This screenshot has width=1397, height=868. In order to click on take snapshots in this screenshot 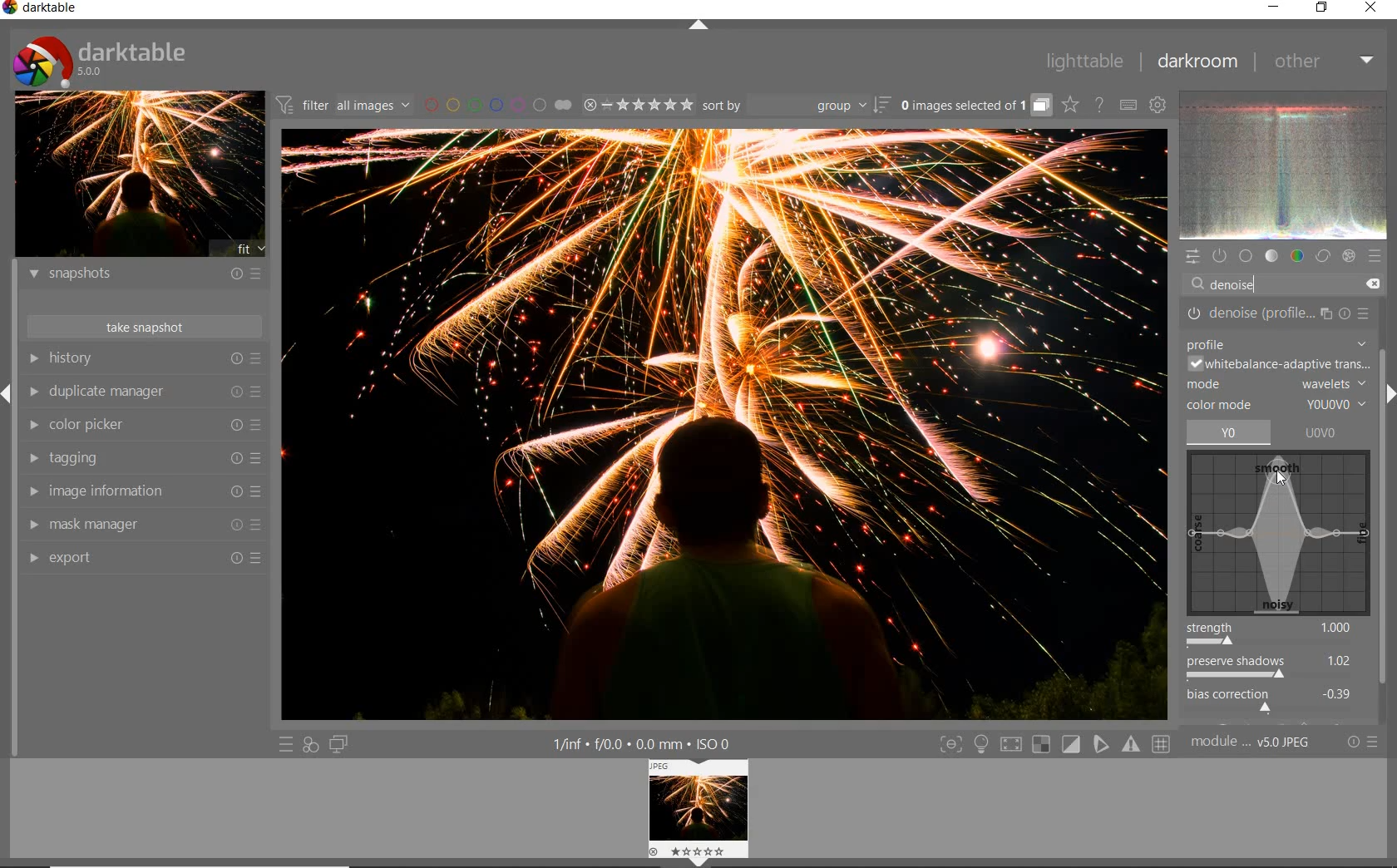, I will do `click(144, 328)`.